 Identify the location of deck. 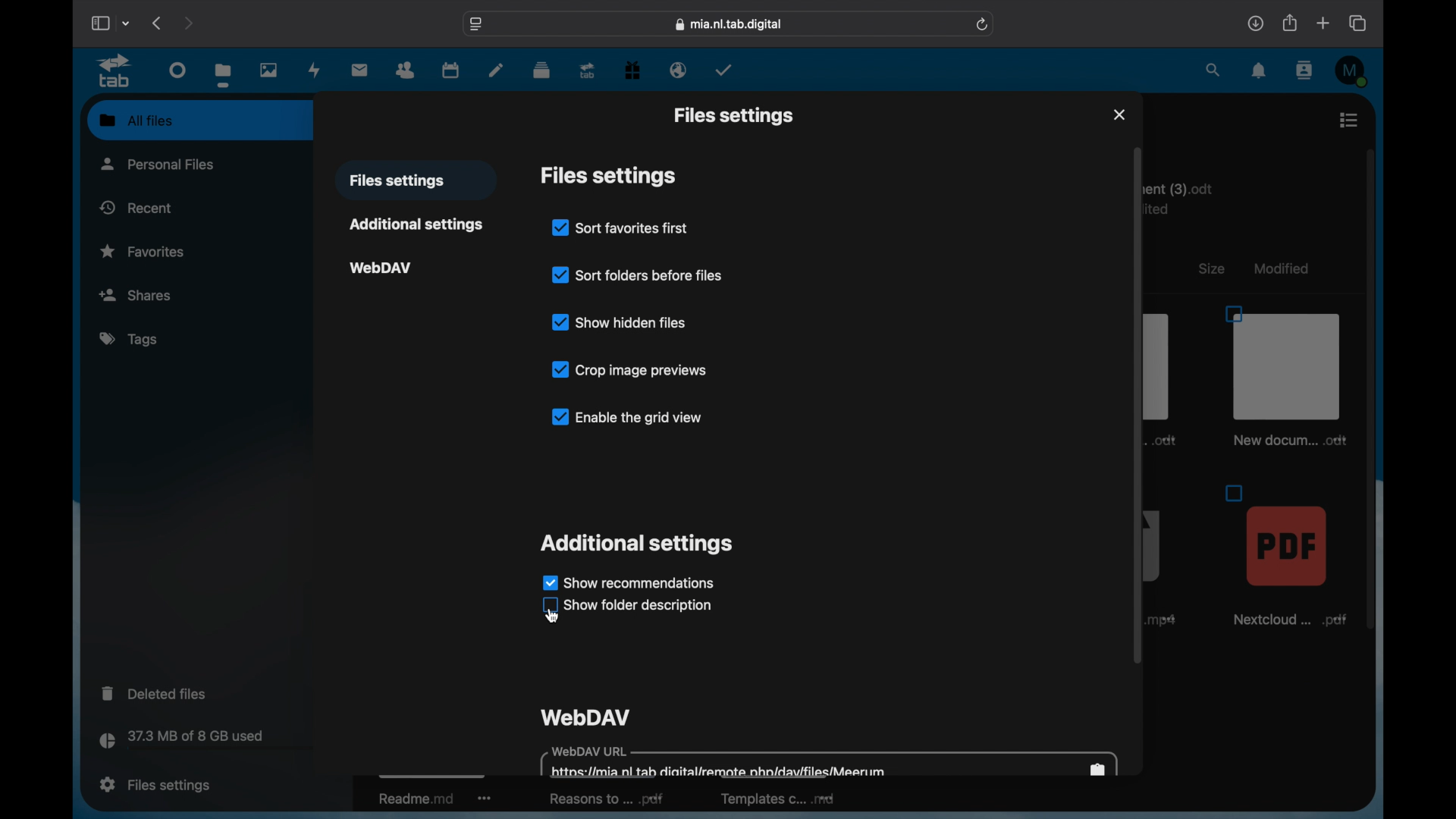
(541, 71).